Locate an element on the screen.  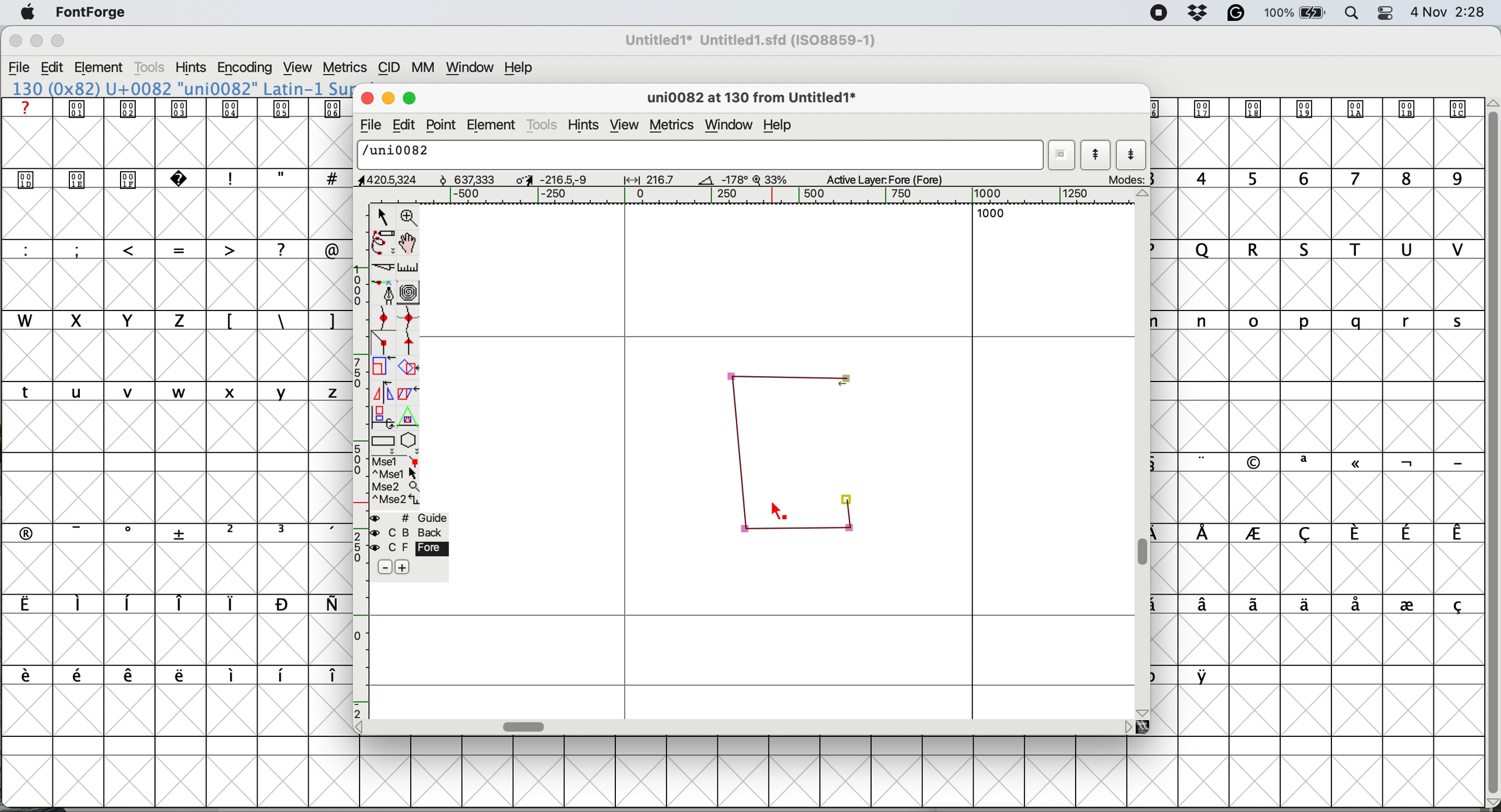
corner points connected is located at coordinates (791, 531).